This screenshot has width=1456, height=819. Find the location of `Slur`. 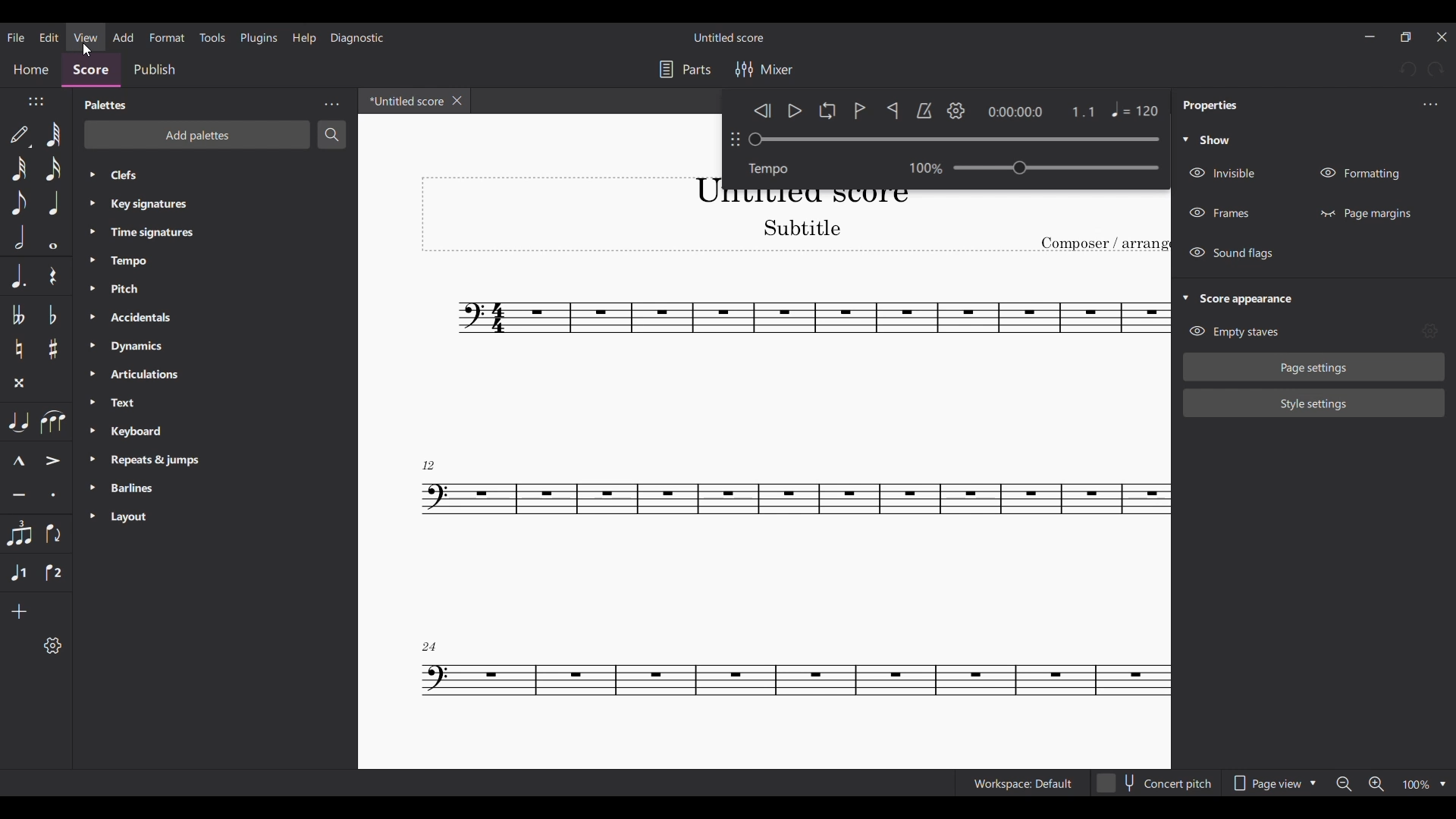

Slur is located at coordinates (54, 422).